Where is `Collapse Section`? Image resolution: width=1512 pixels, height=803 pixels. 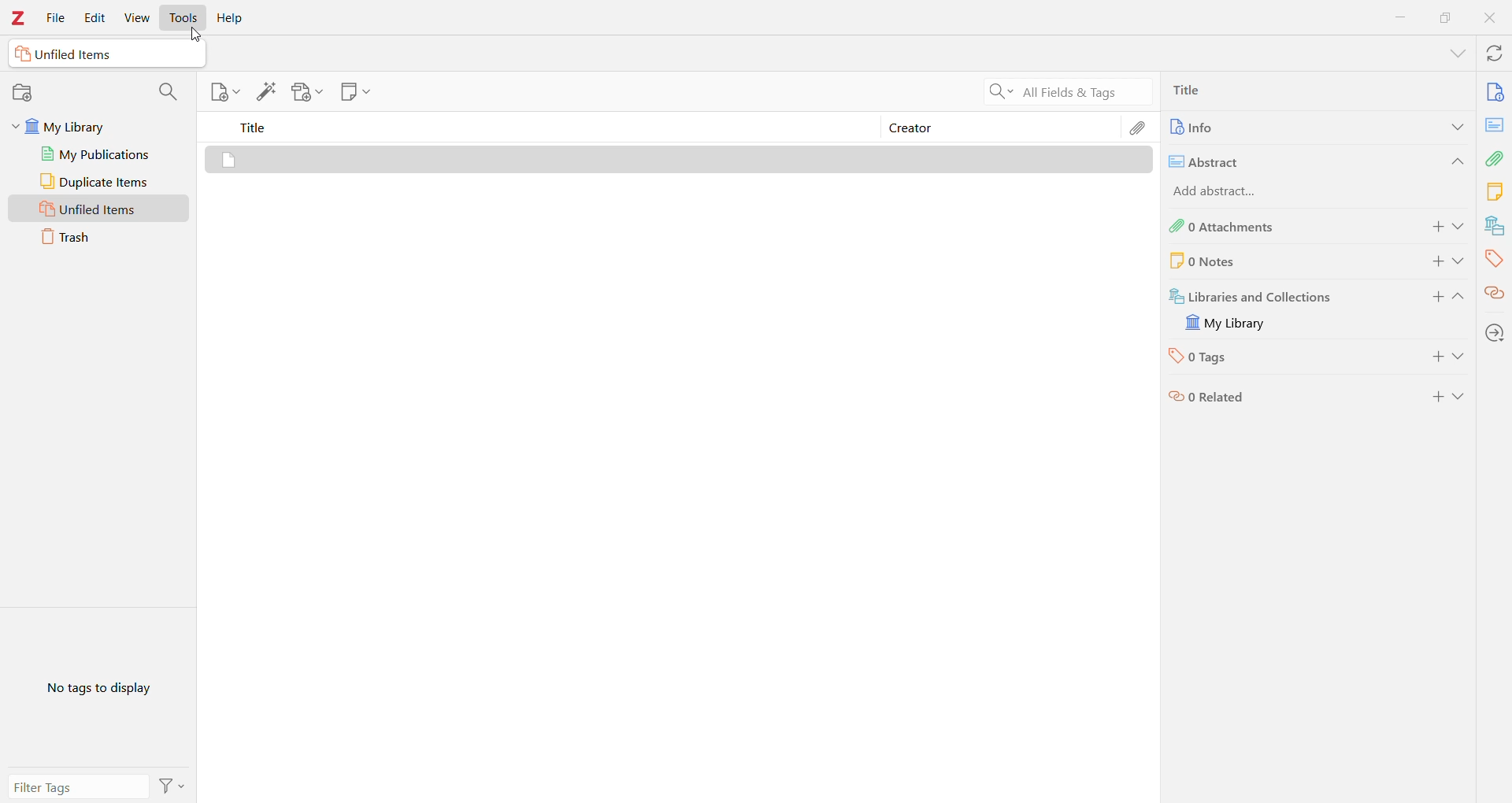 Collapse Section is located at coordinates (1458, 164).